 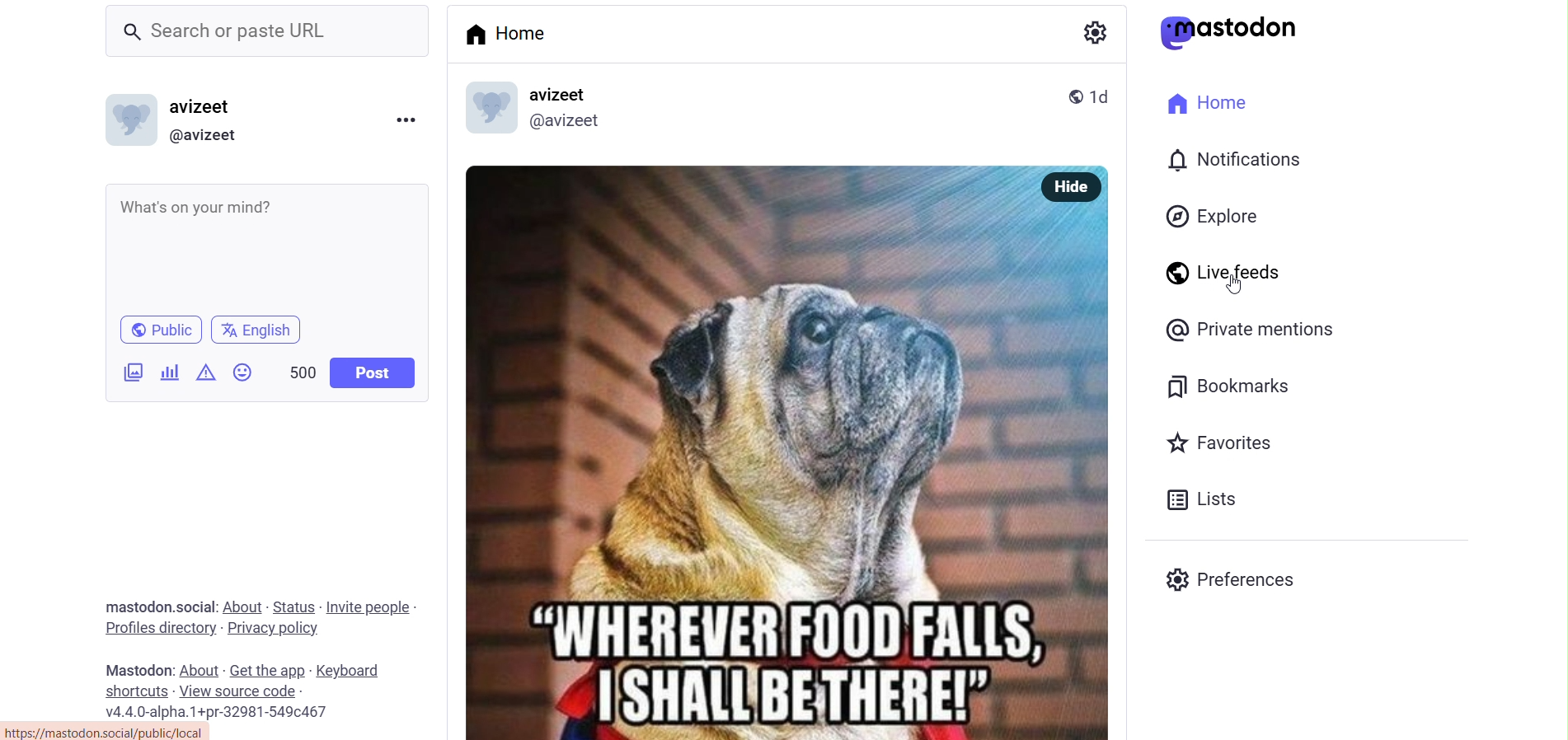 I want to click on bookmark, so click(x=1232, y=389).